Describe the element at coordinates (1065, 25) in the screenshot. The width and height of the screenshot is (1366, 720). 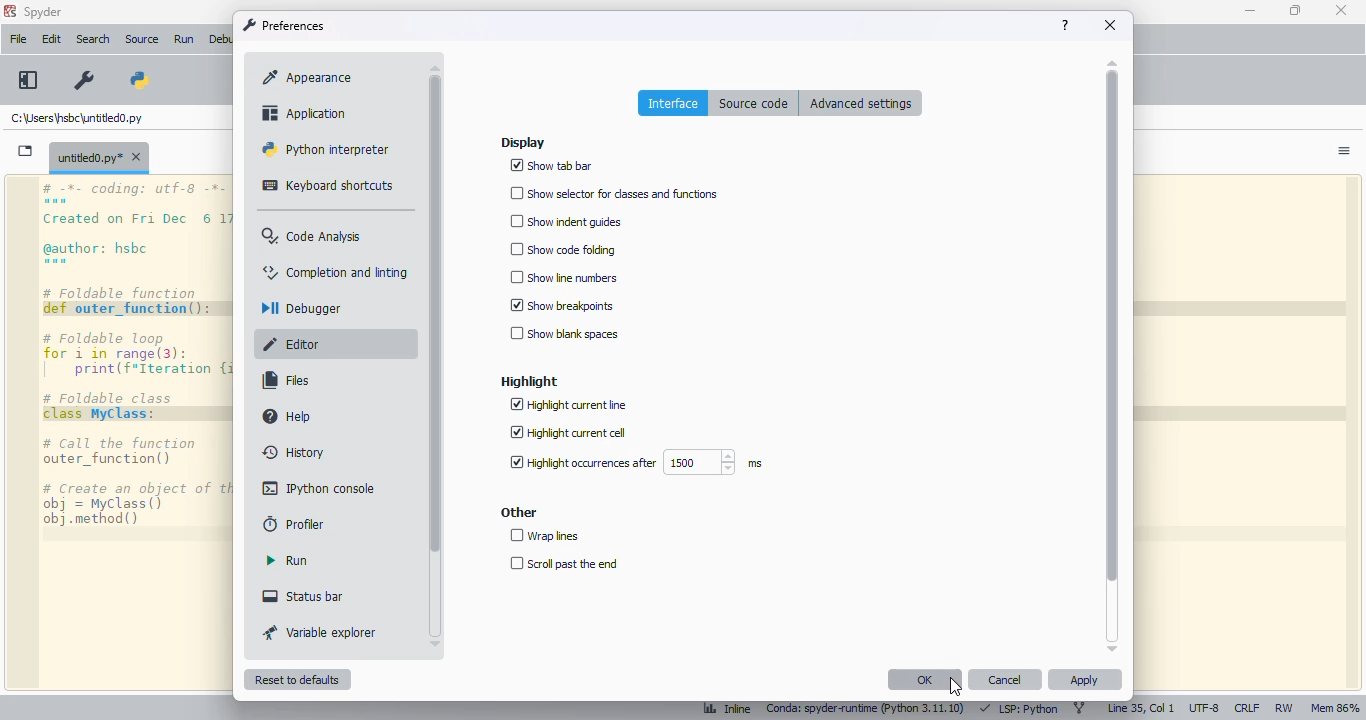
I see `help` at that location.